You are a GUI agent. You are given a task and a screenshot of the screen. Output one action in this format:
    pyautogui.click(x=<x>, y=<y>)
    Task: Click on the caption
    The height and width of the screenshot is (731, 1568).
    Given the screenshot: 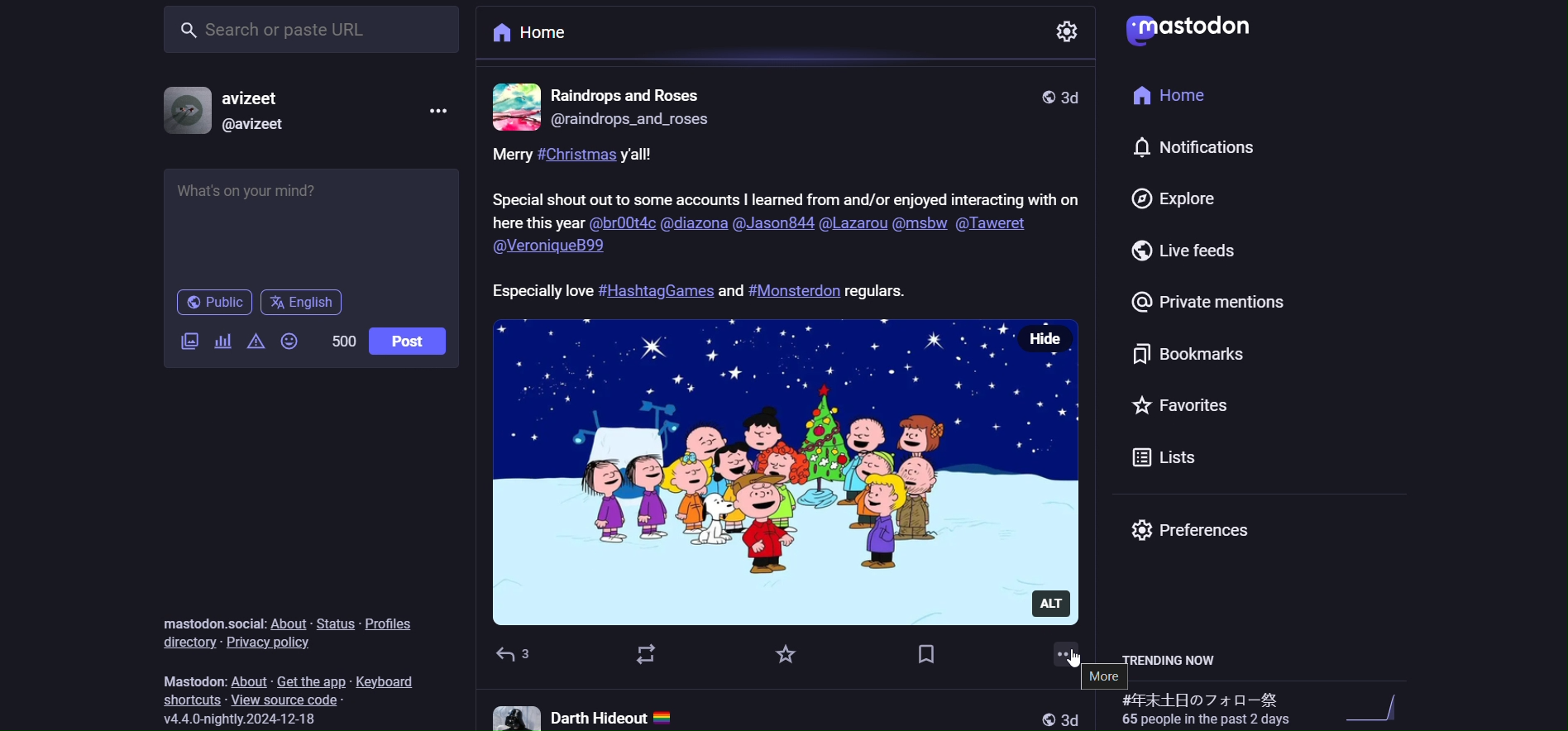 What is the action you would take?
    pyautogui.click(x=788, y=227)
    